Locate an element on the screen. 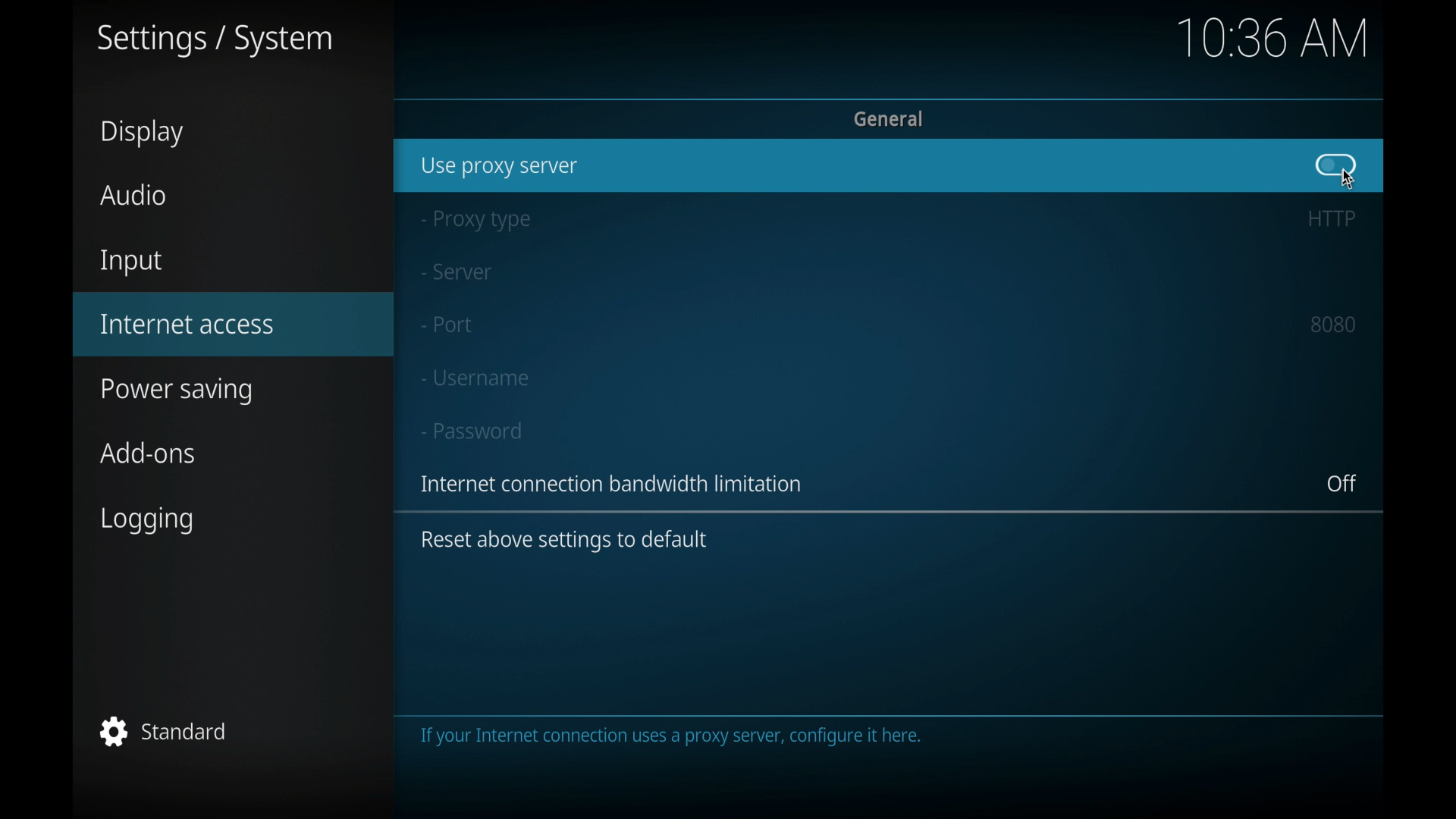  port is located at coordinates (447, 325).